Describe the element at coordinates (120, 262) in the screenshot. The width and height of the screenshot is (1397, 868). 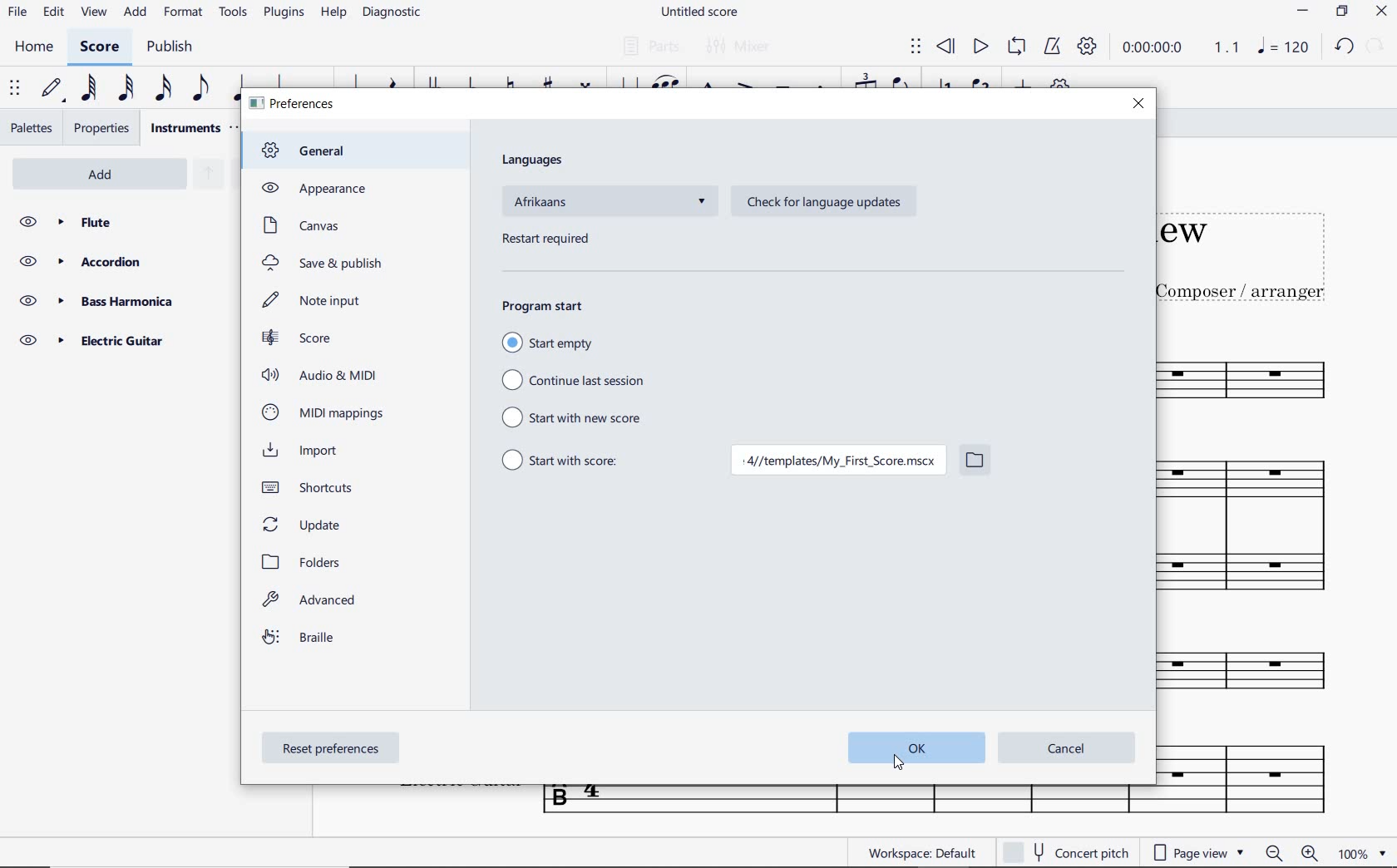
I see `accordion` at that location.